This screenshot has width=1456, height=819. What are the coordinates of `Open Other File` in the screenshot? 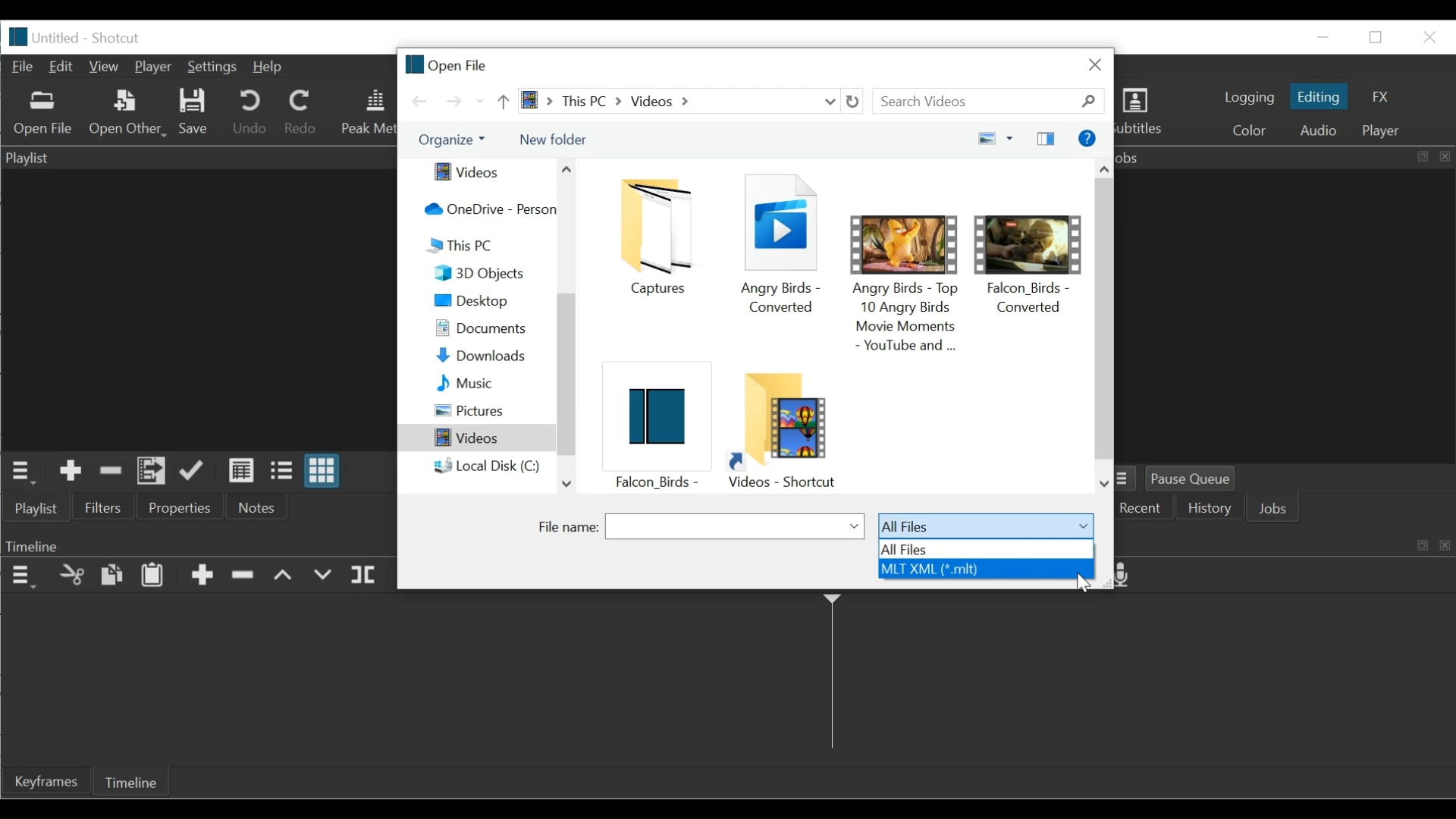 It's located at (43, 114).